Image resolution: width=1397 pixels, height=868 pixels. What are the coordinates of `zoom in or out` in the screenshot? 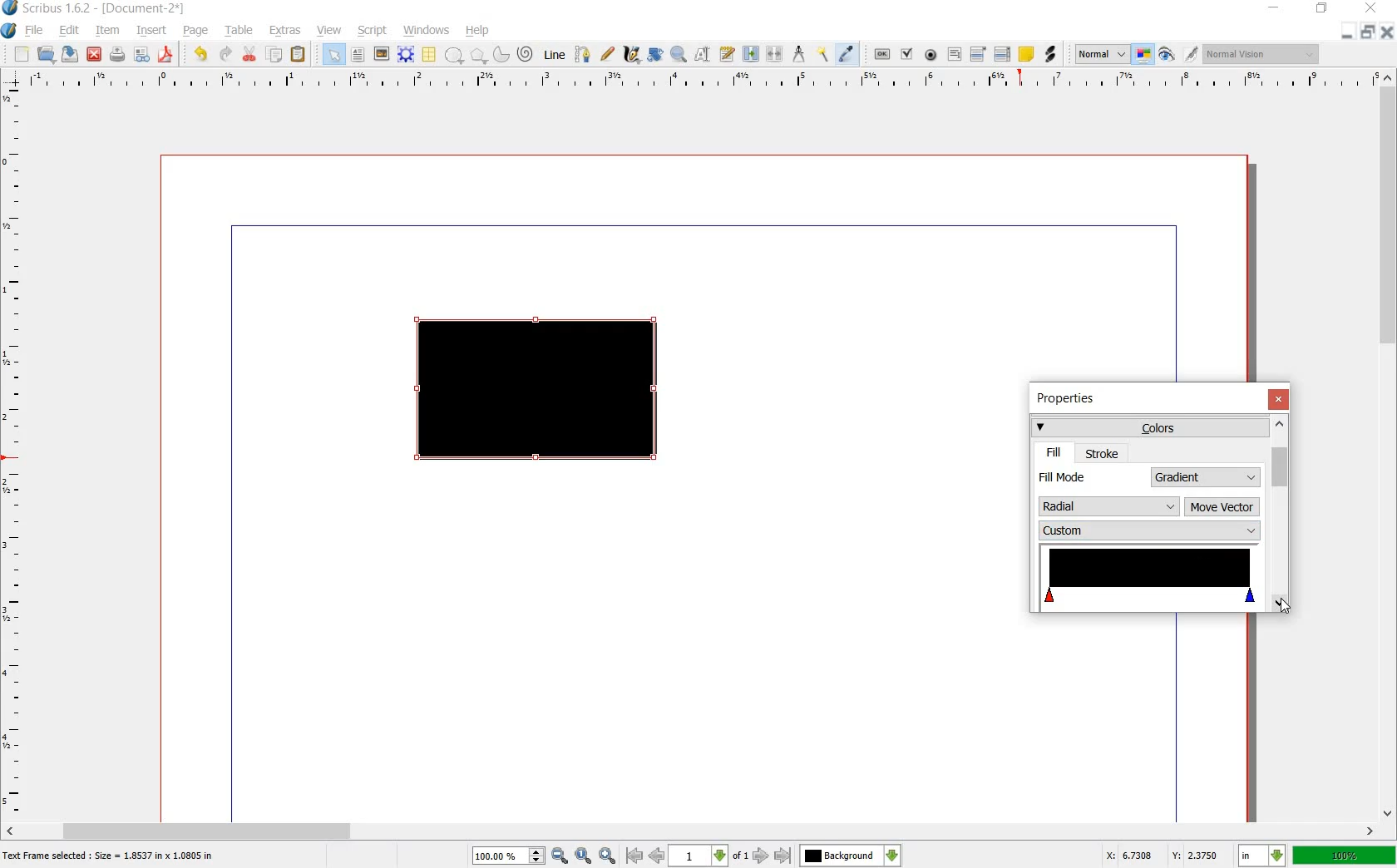 It's located at (678, 56).